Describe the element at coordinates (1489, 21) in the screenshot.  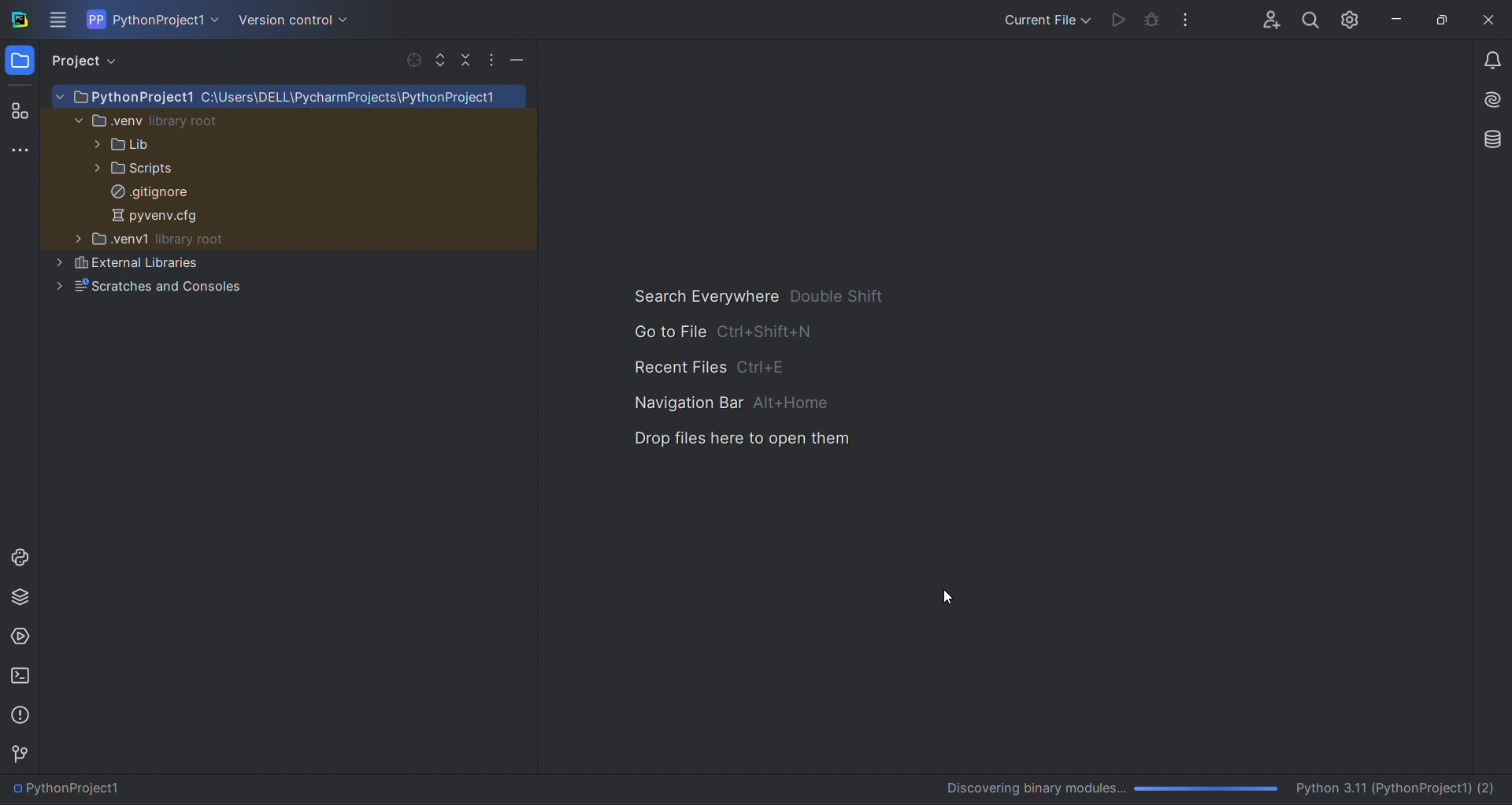
I see `close` at that location.